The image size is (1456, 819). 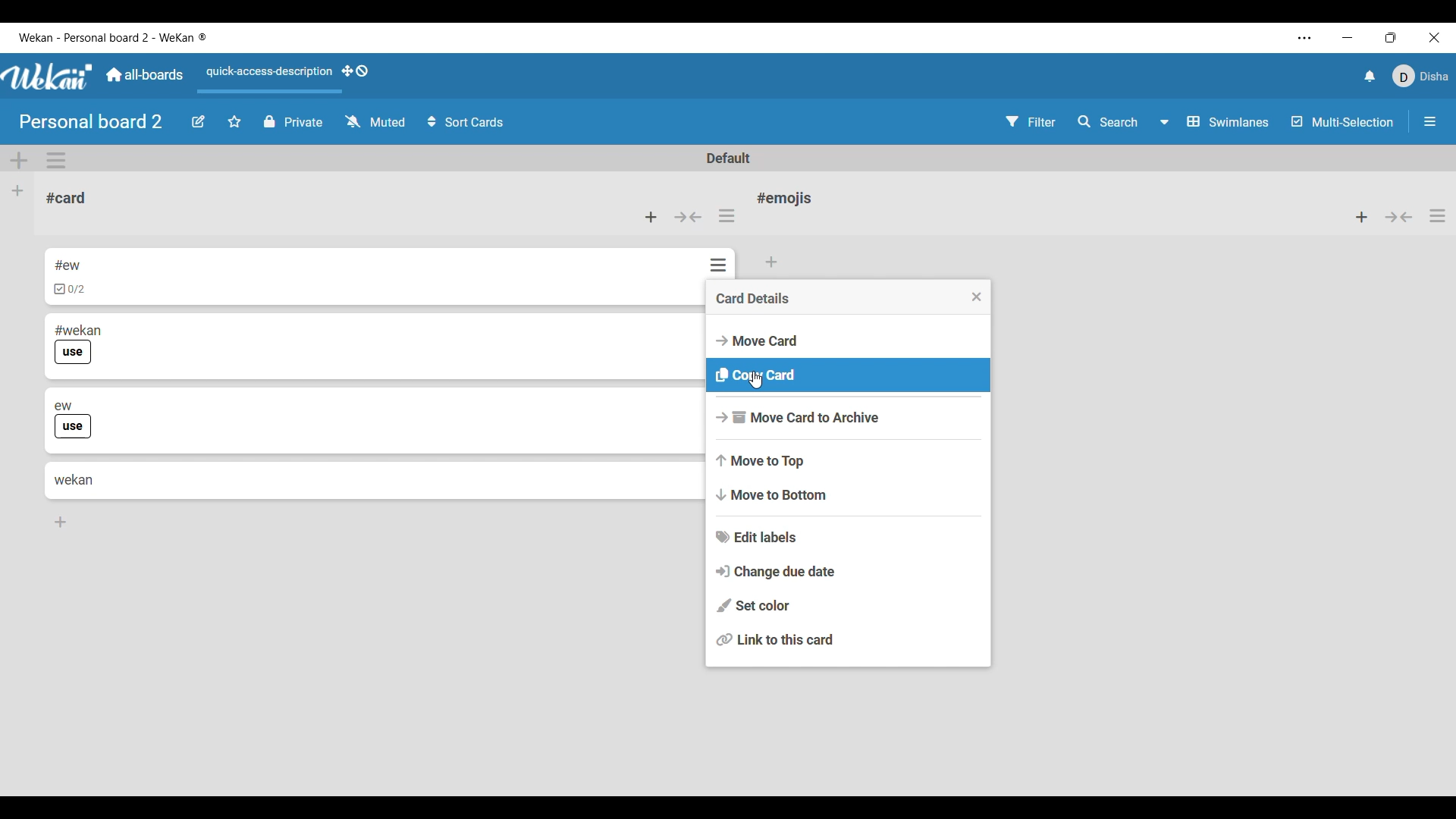 What do you see at coordinates (18, 192) in the screenshot?
I see `Add list ` at bounding box center [18, 192].